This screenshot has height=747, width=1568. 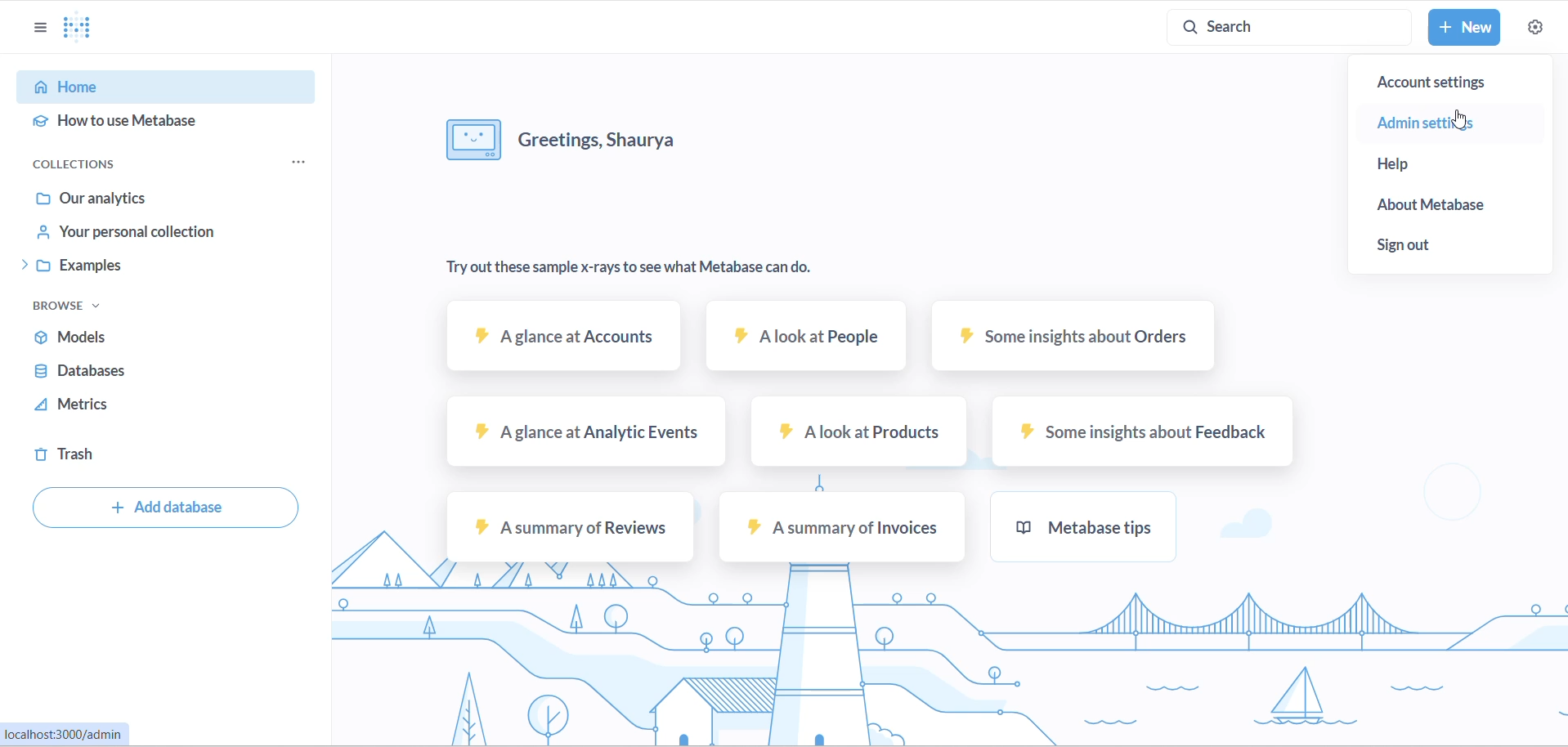 I want to click on examples, so click(x=142, y=268).